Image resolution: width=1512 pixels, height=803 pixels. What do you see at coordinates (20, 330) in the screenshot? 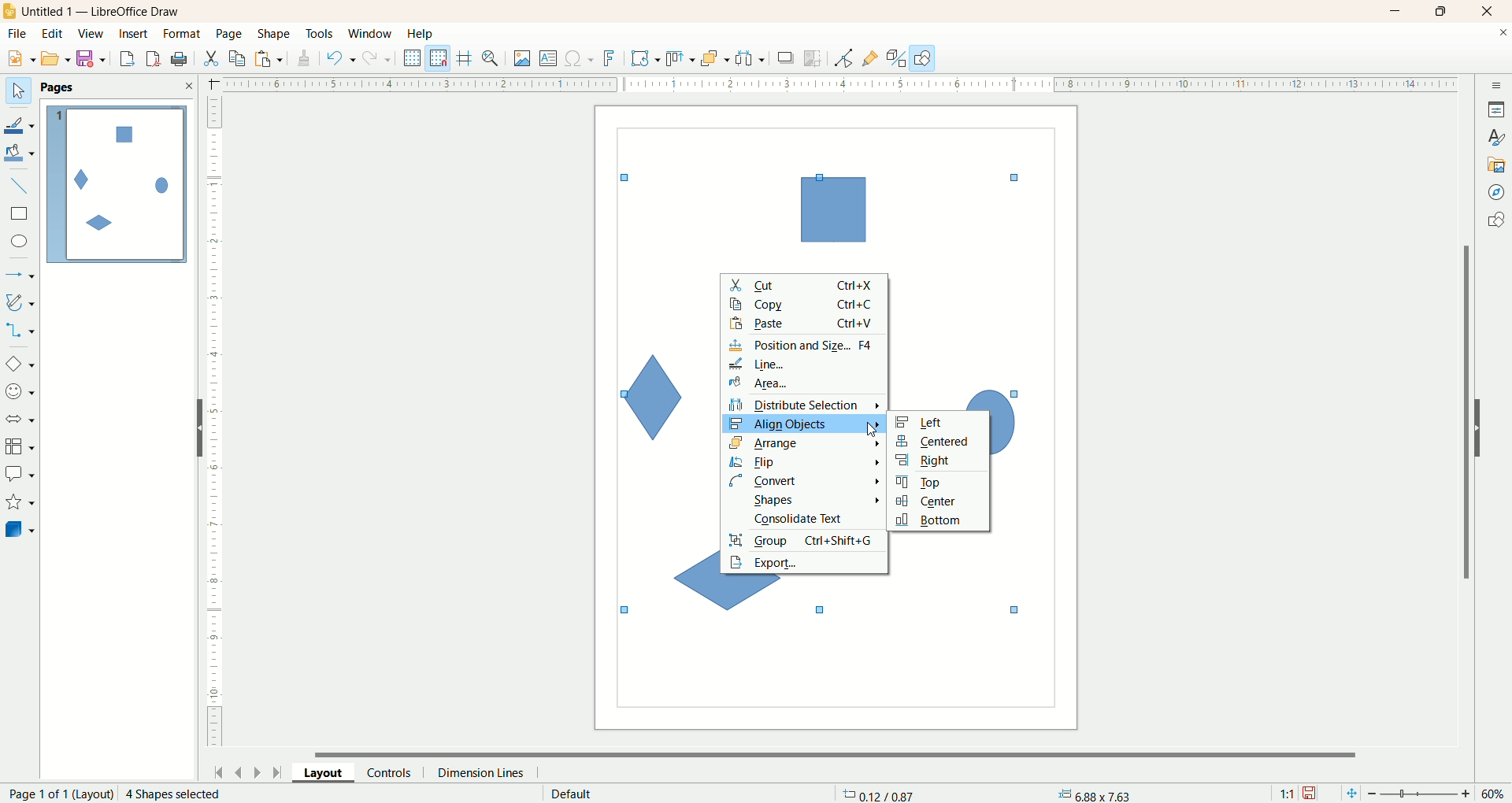
I see `connectors` at bounding box center [20, 330].